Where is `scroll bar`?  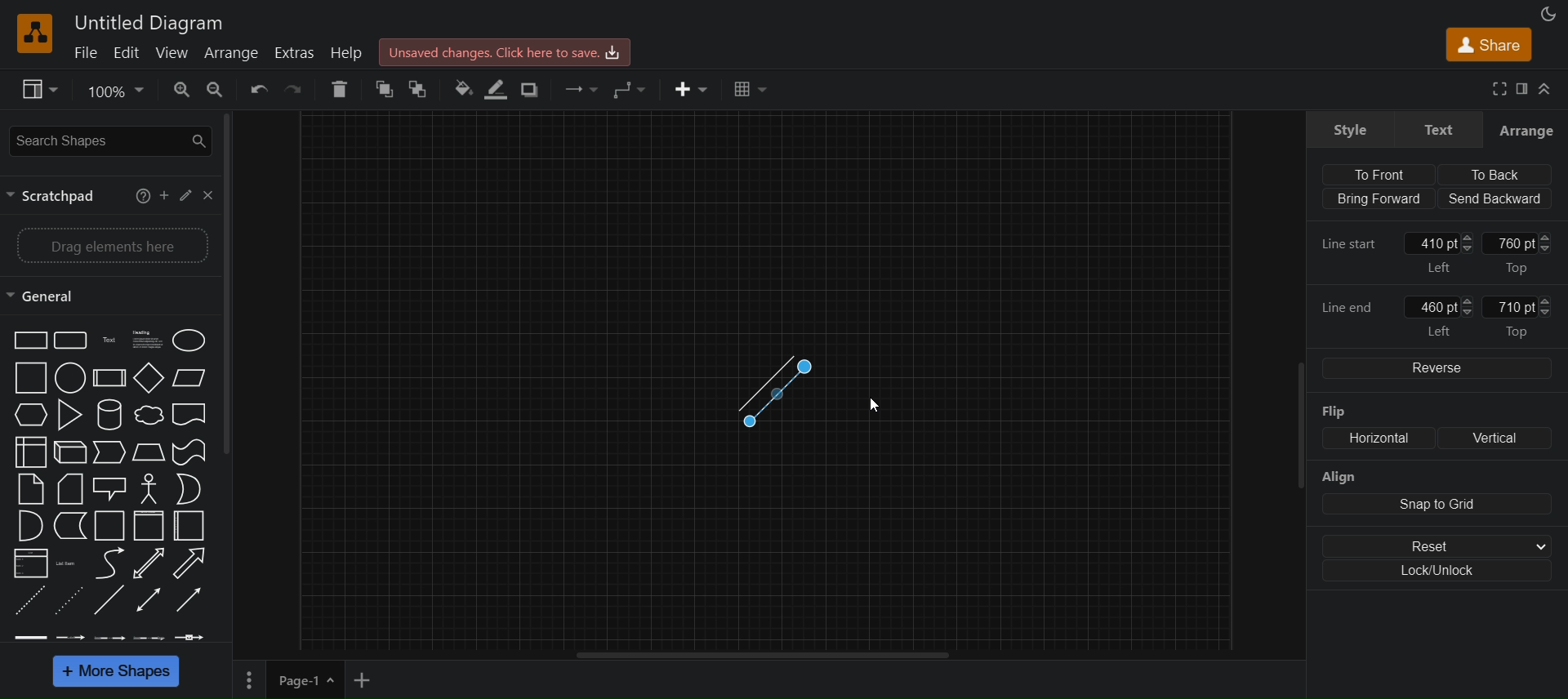 scroll bar is located at coordinates (1293, 435).